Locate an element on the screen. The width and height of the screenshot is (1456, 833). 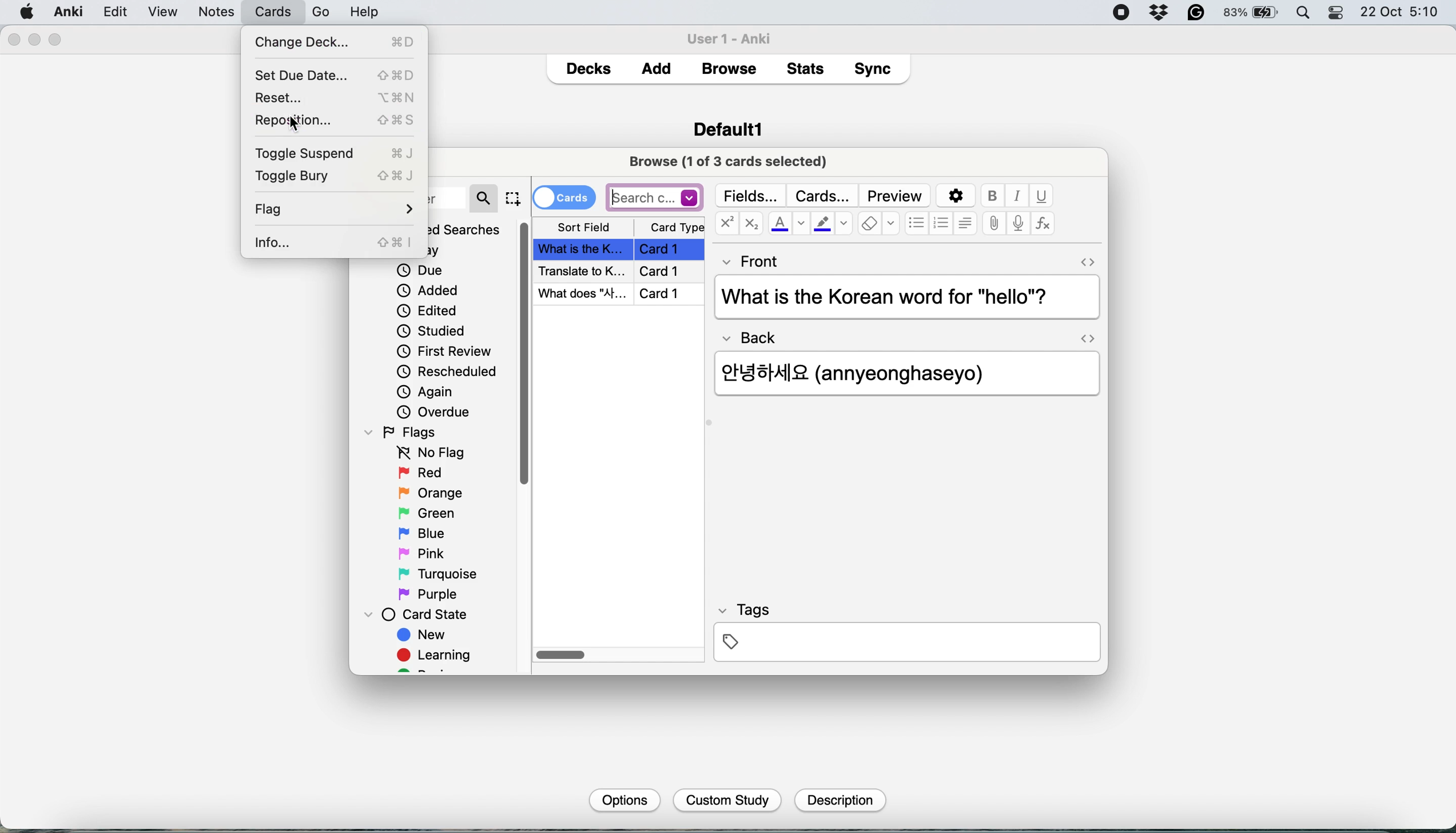
highlight color is located at coordinates (831, 225).